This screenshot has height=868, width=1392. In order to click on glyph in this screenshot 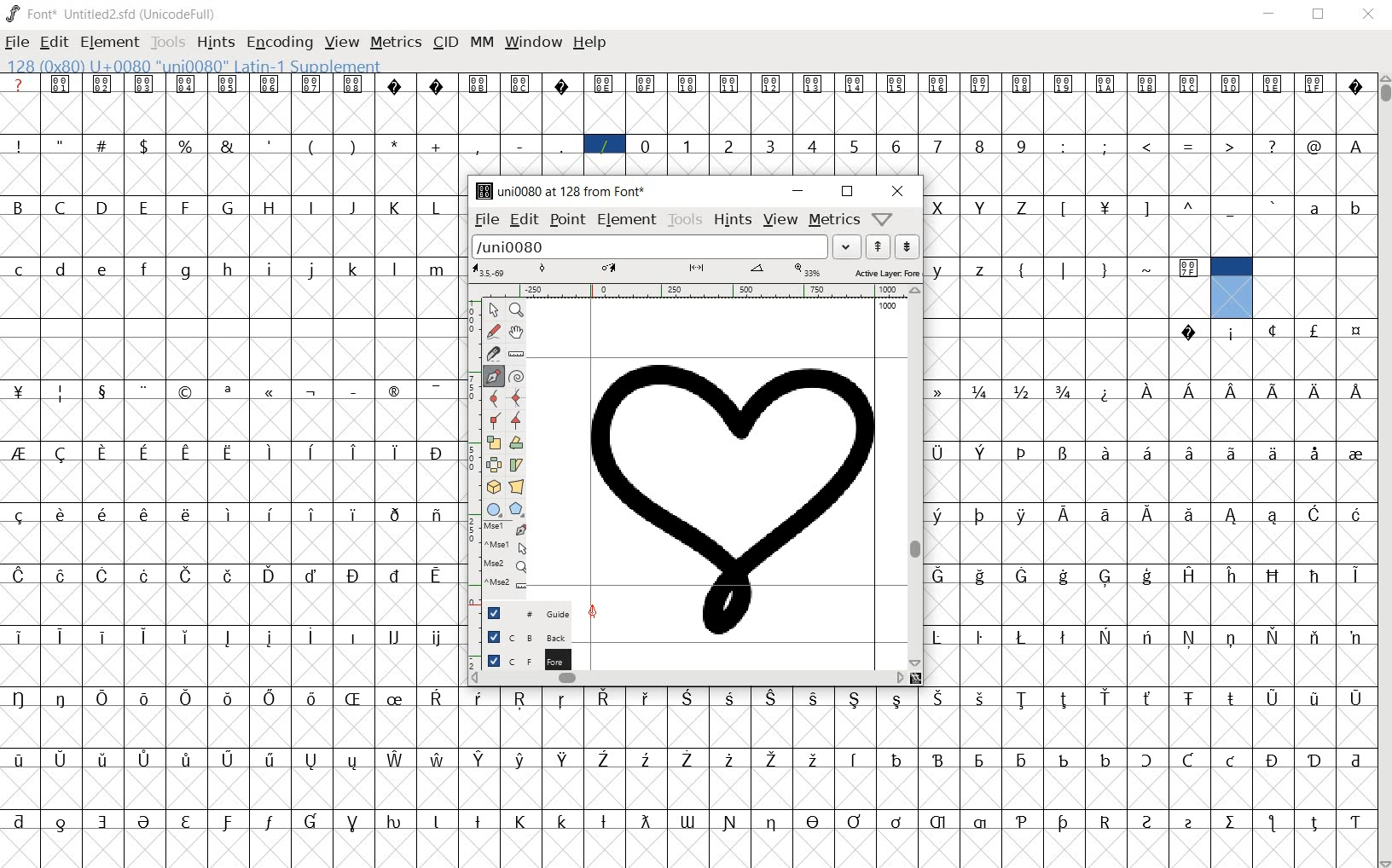, I will do `click(645, 698)`.